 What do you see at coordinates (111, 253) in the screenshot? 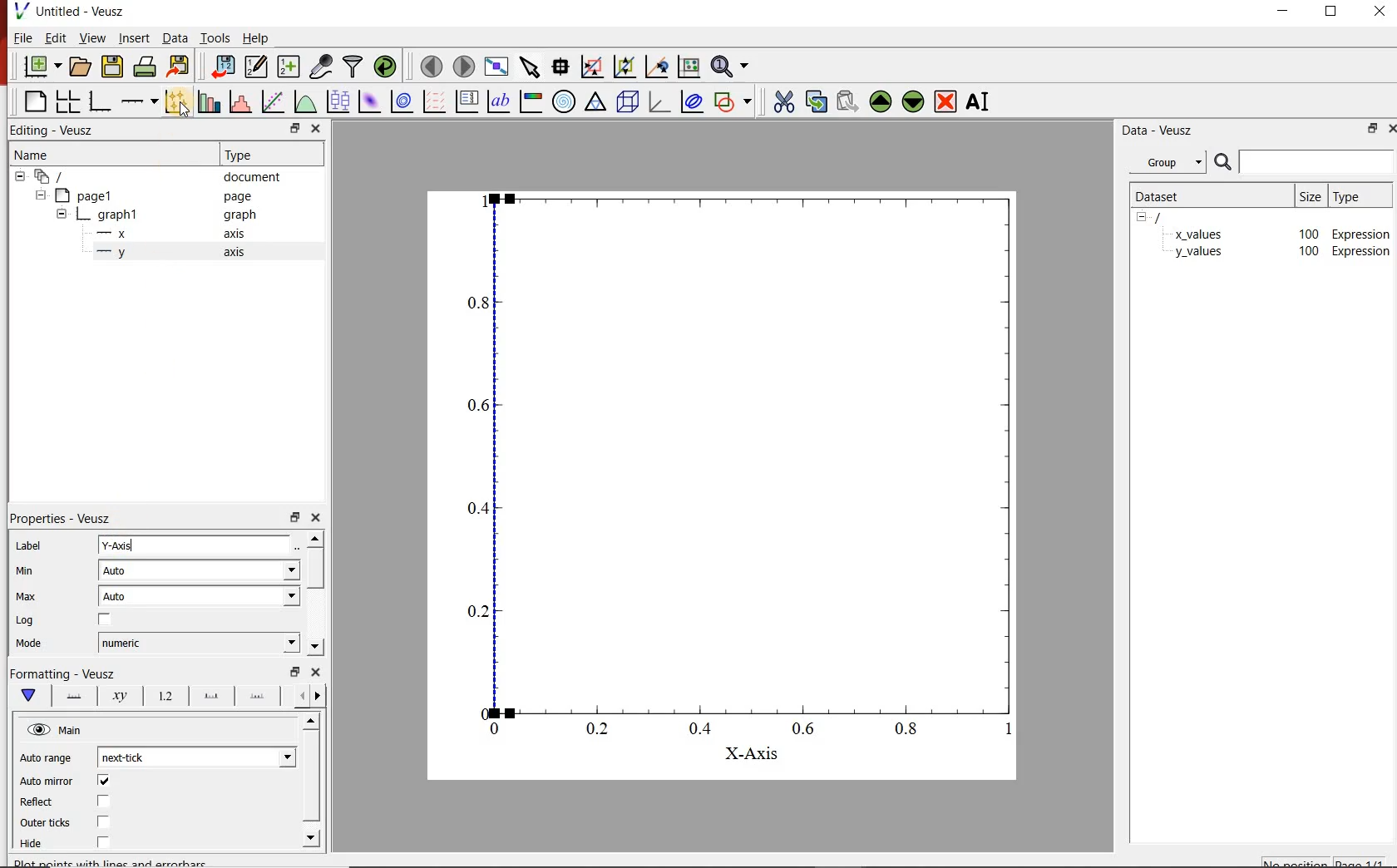
I see `—-—y` at bounding box center [111, 253].